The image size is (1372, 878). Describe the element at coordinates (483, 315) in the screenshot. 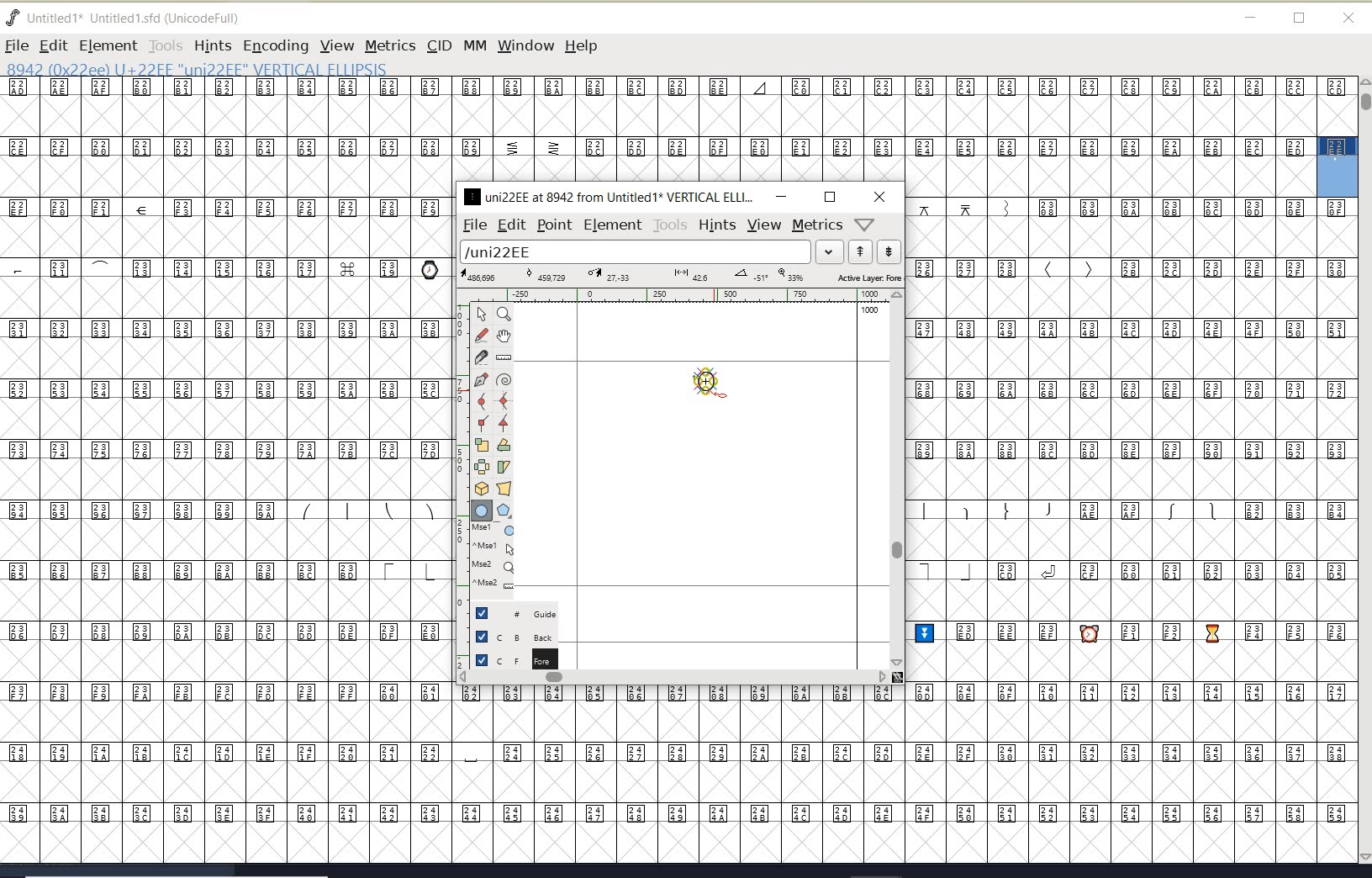

I see `pointer` at that location.